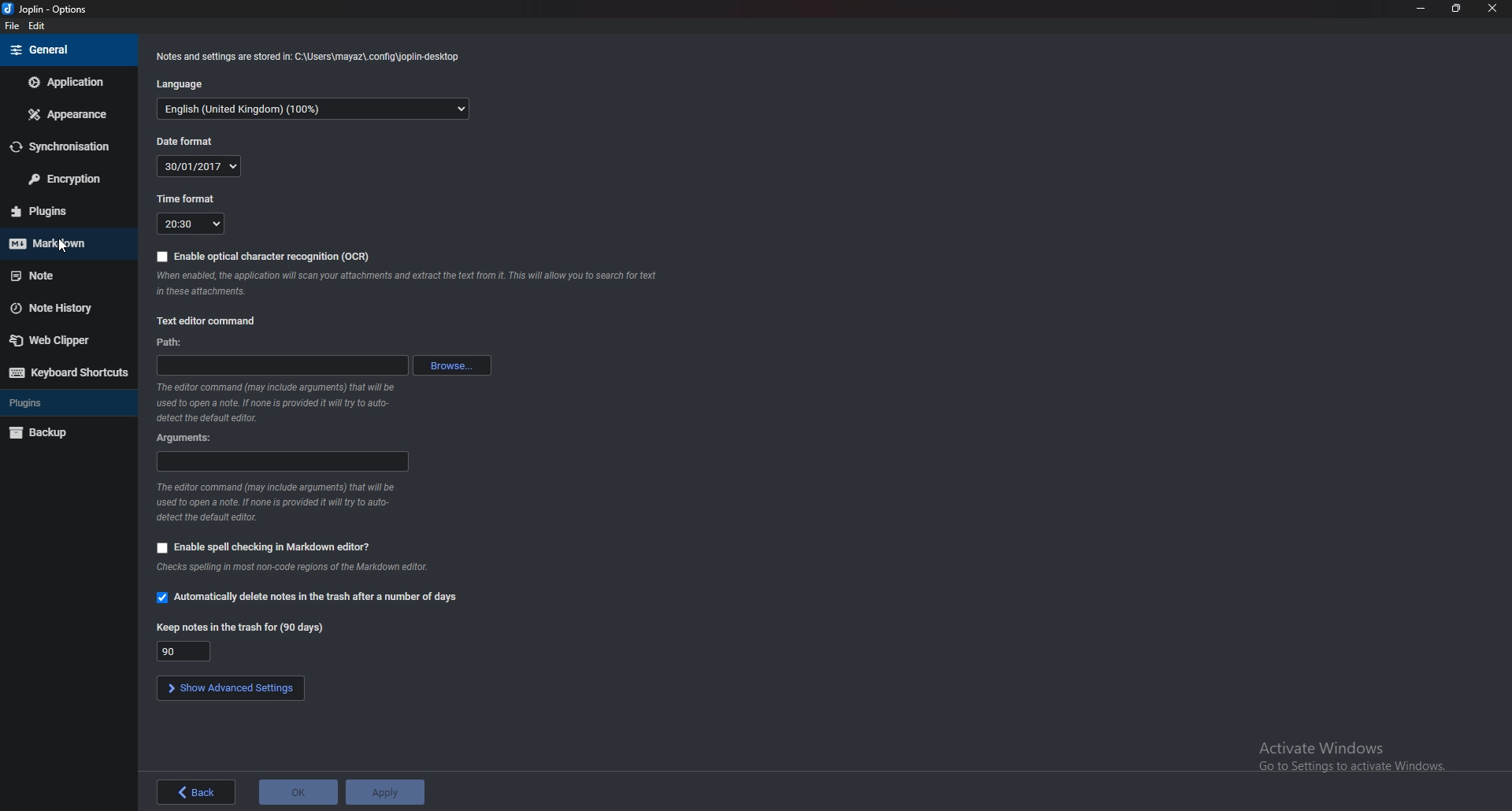 The height and width of the screenshot is (811, 1512). I want to click on cursor, so click(64, 249).